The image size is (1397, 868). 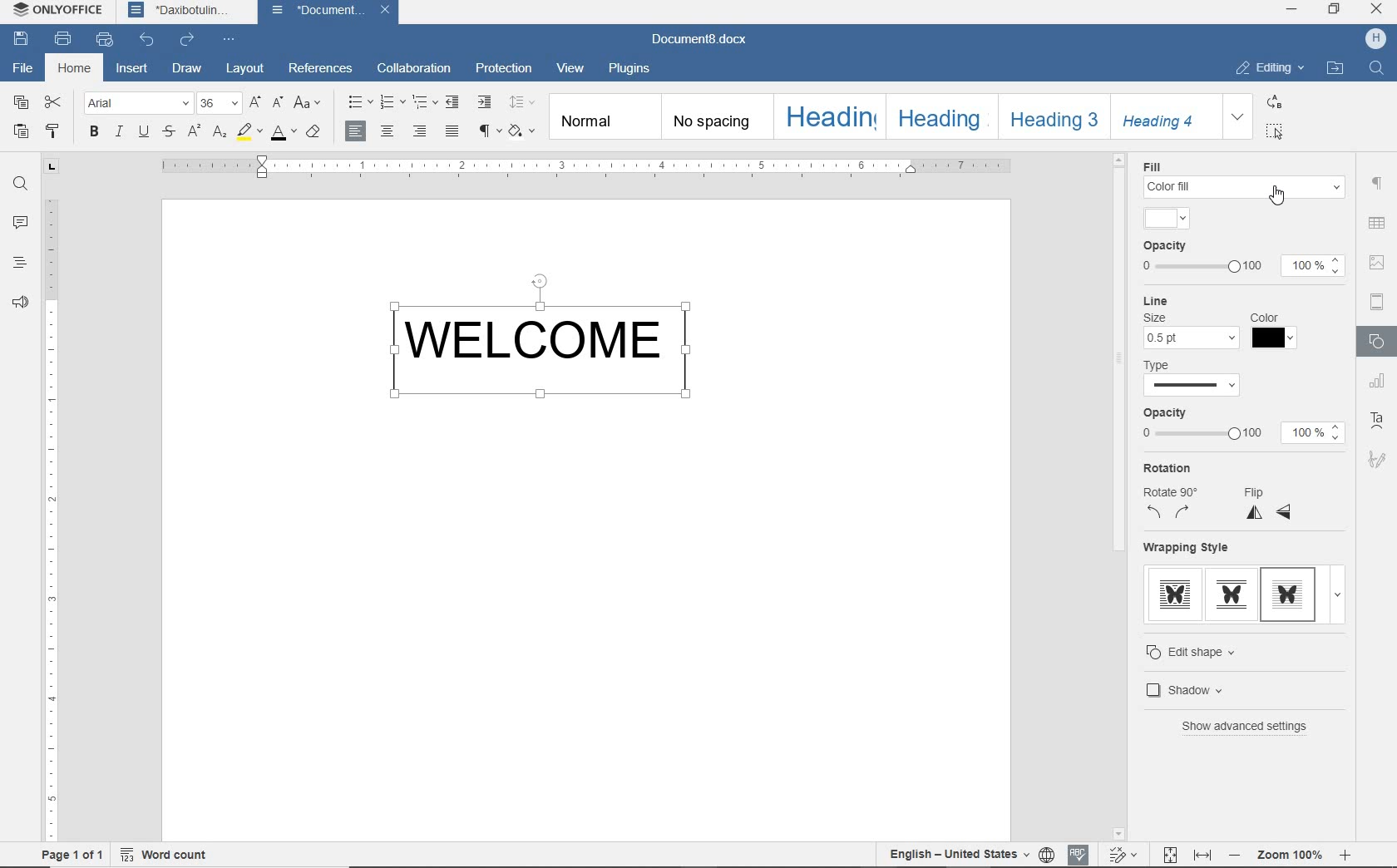 I want to click on Scroll down, so click(x=1118, y=835).